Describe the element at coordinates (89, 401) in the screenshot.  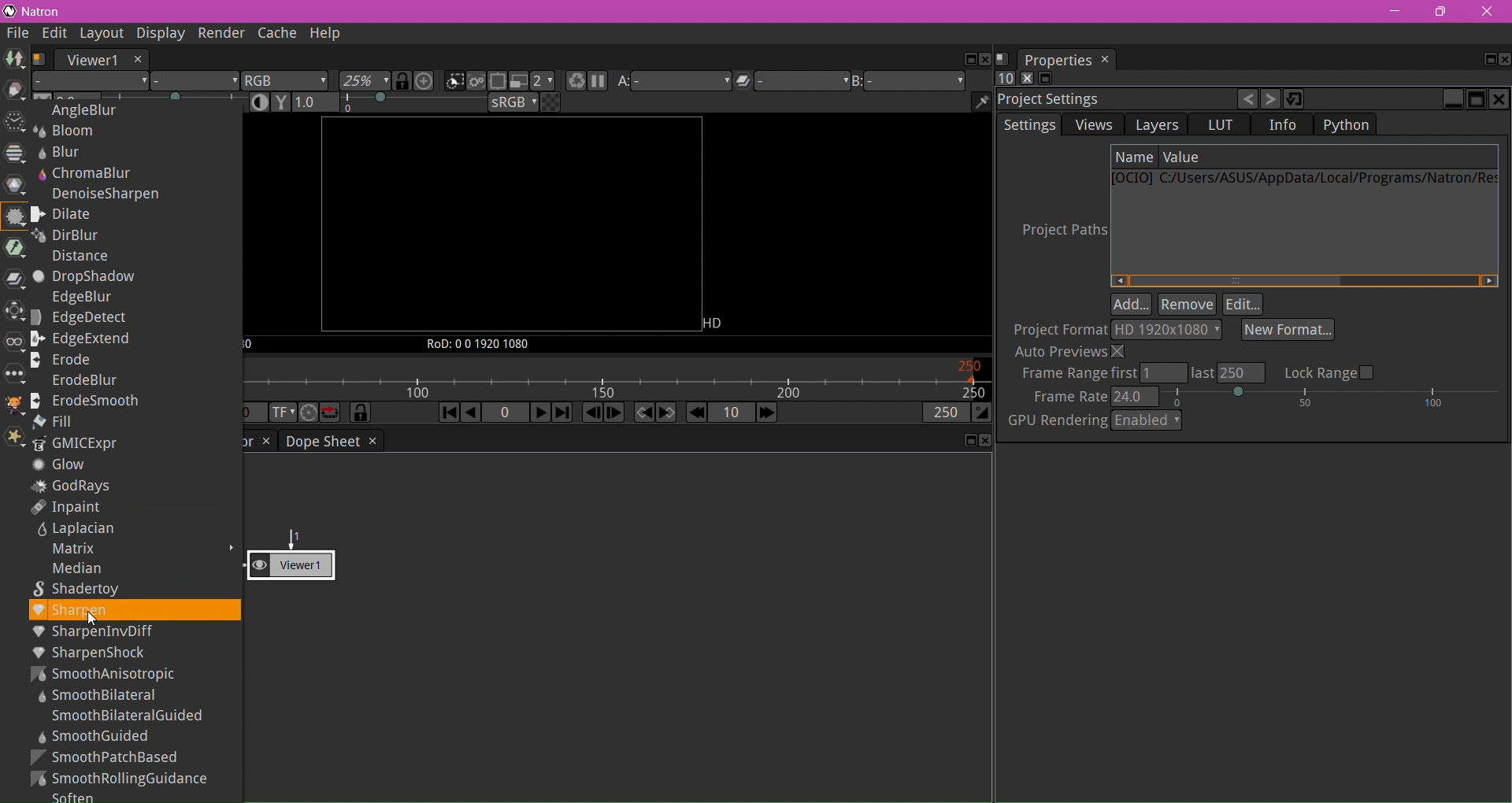
I see `ErodeSmooth` at that location.